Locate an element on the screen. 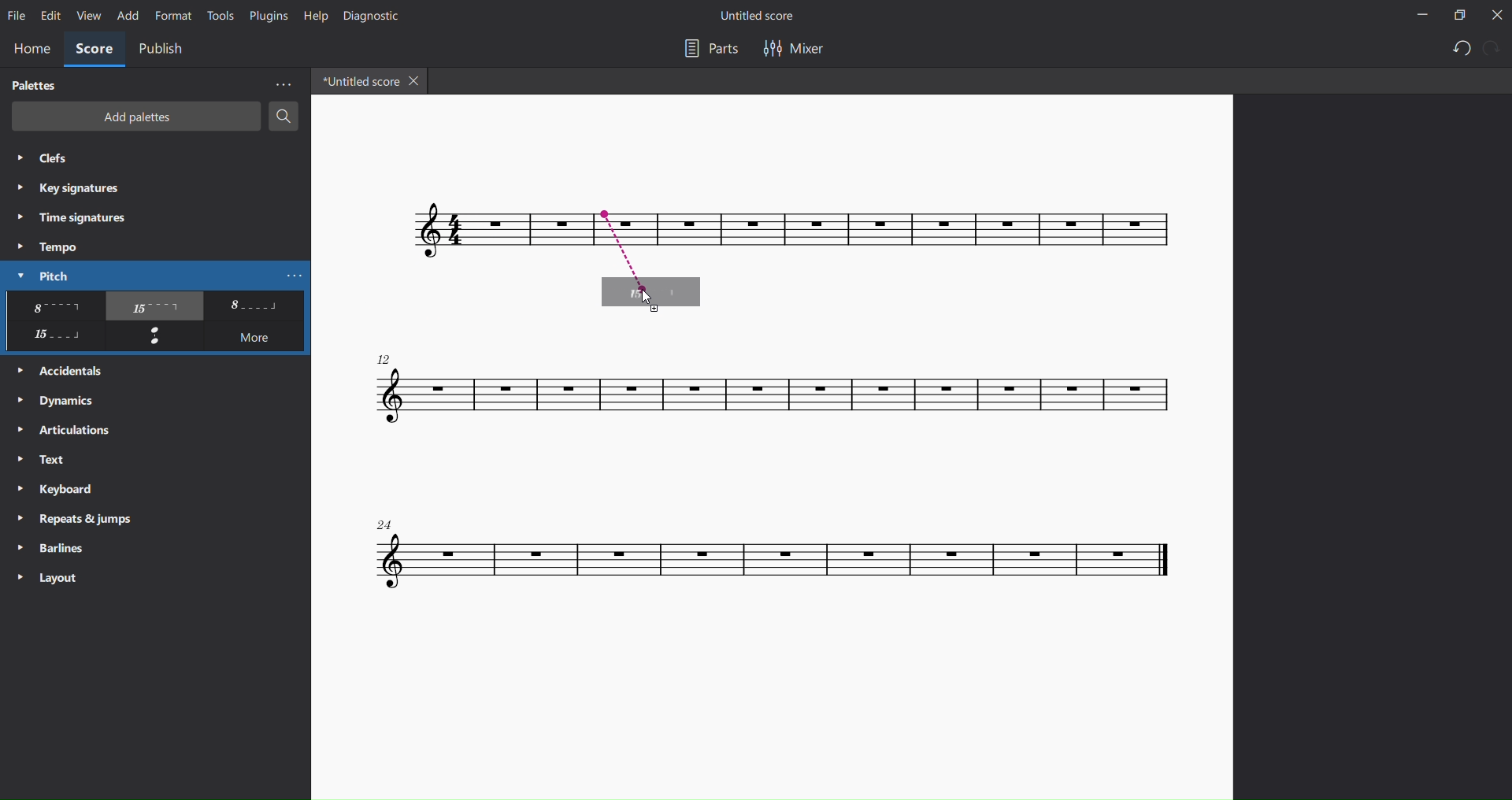 The width and height of the screenshot is (1512, 800). barlines is located at coordinates (48, 545).